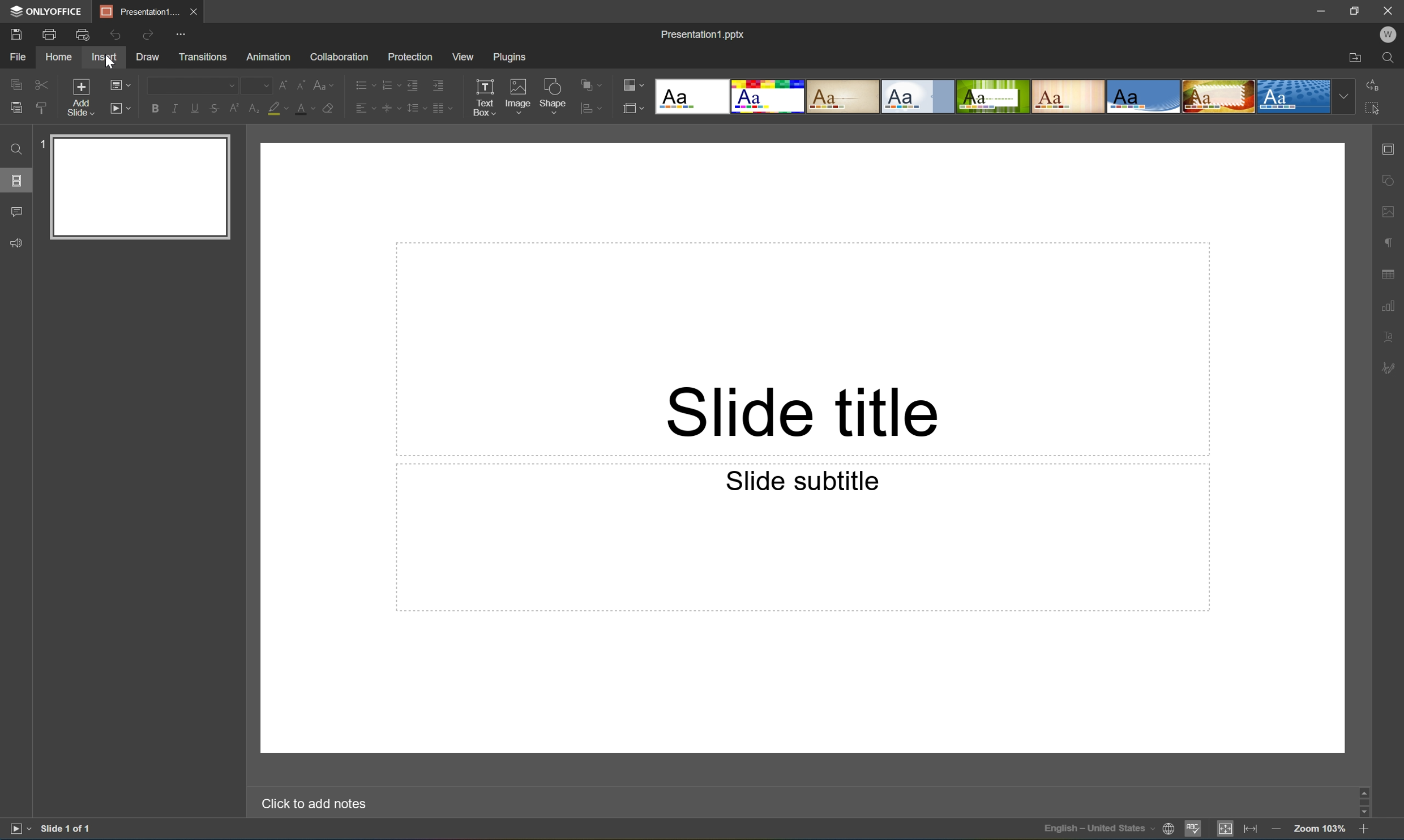 This screenshot has height=840, width=1404. Describe the element at coordinates (1252, 828) in the screenshot. I see `Fit to width` at that location.